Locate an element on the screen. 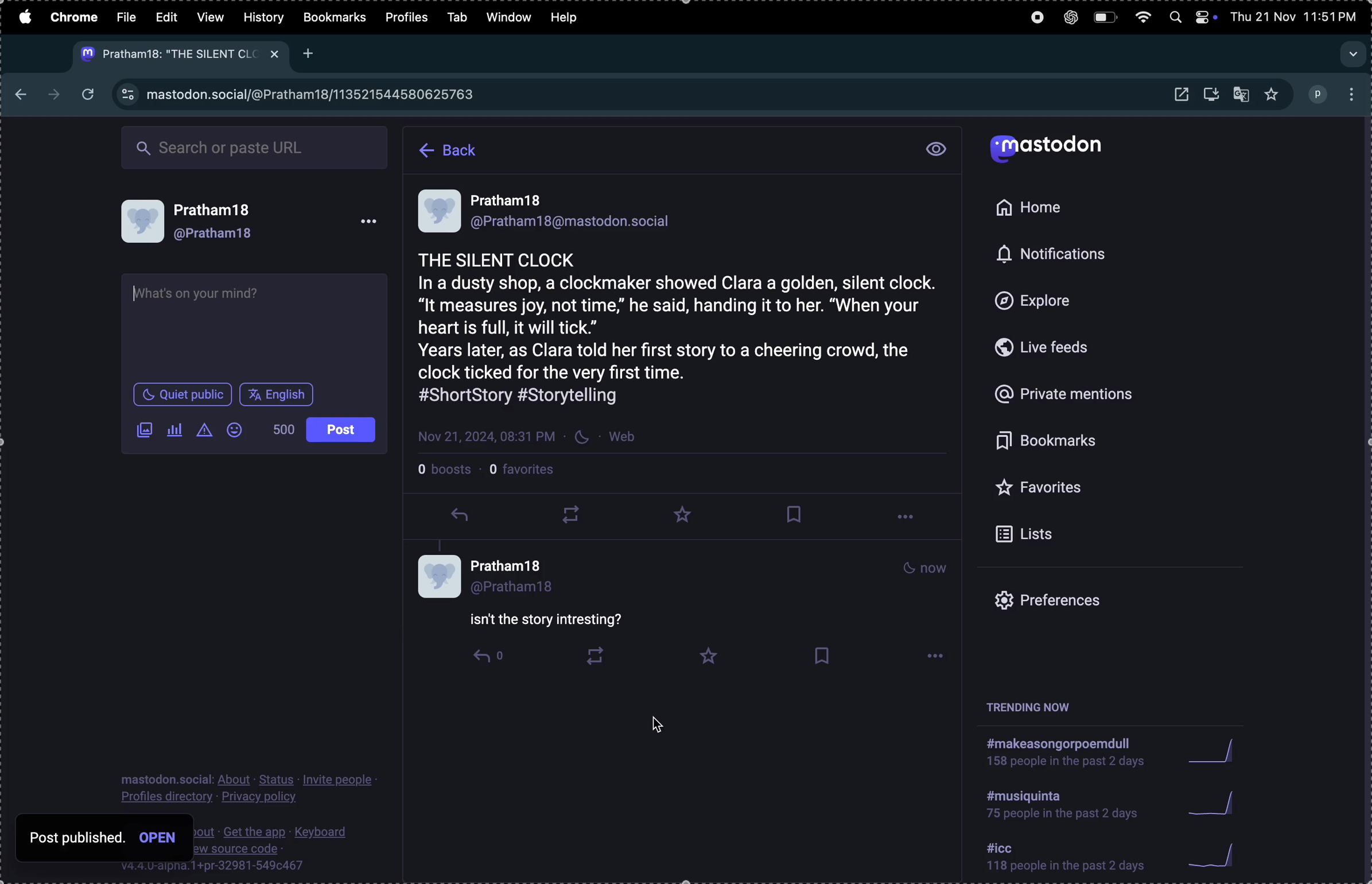 The height and width of the screenshot is (884, 1372). apple widgets is located at coordinates (1205, 17).